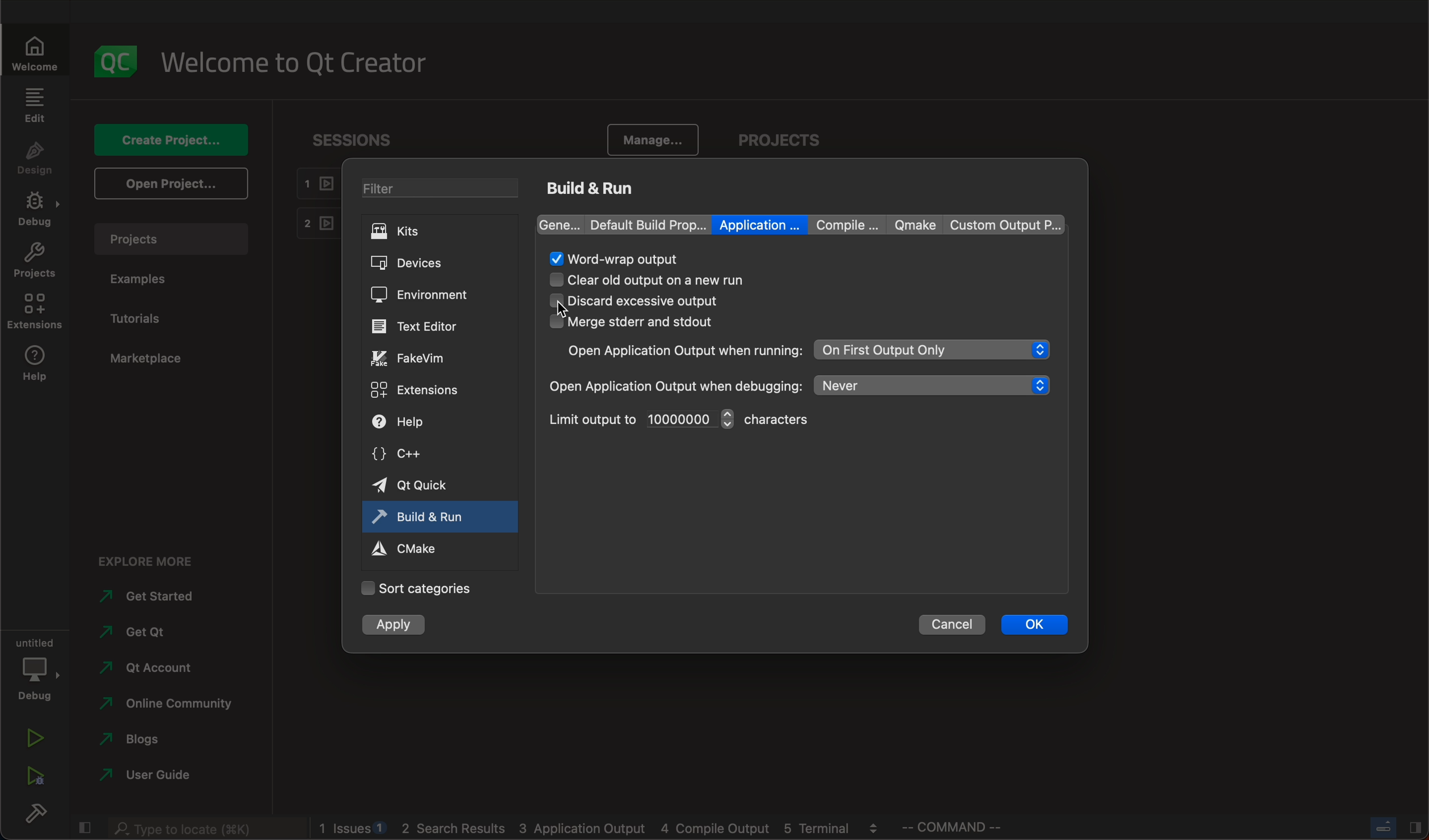 The width and height of the screenshot is (1429, 840). What do you see at coordinates (951, 625) in the screenshot?
I see `cancel` at bounding box center [951, 625].